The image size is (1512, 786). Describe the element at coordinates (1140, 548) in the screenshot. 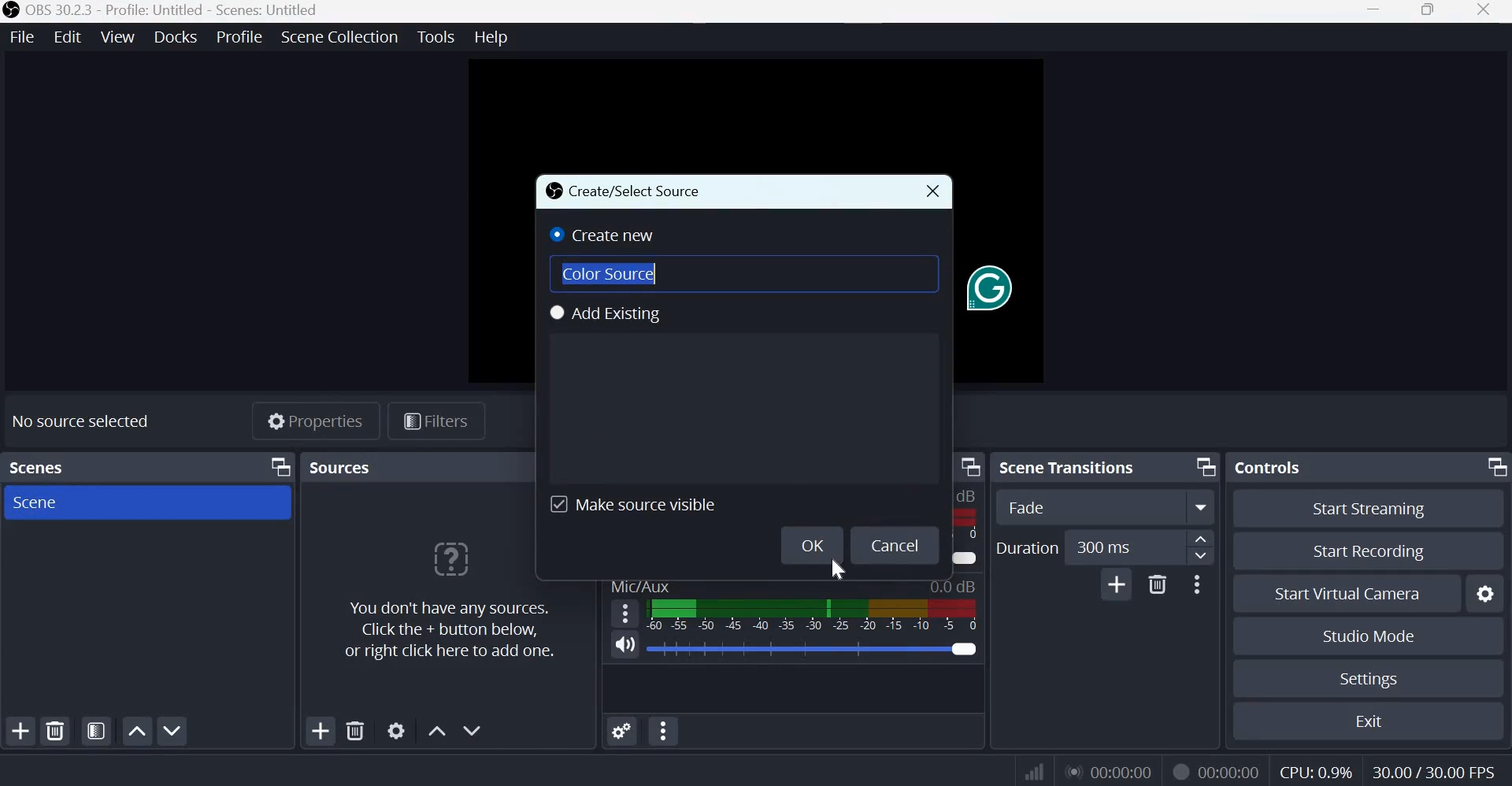

I see `Duration Input` at that location.